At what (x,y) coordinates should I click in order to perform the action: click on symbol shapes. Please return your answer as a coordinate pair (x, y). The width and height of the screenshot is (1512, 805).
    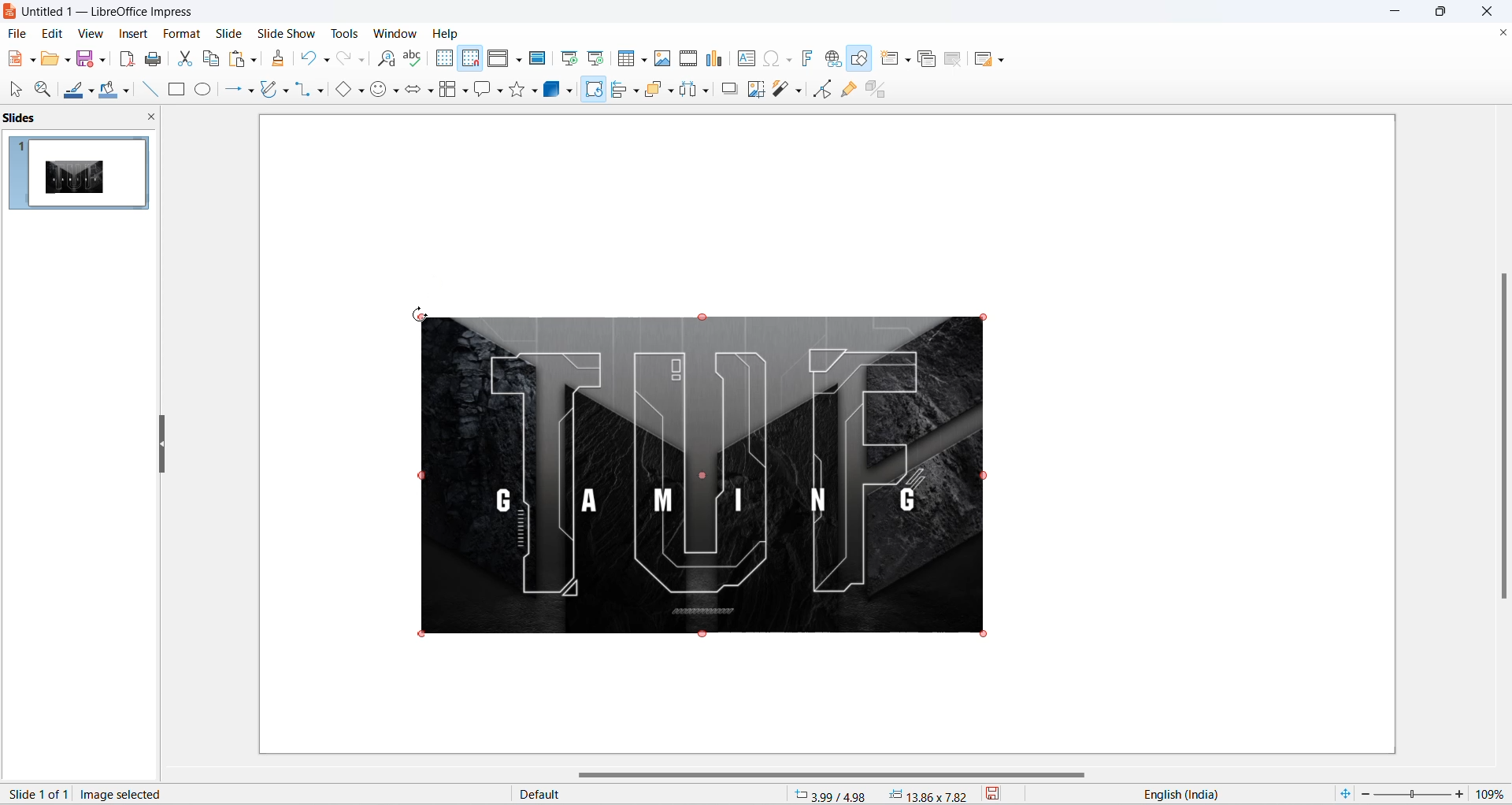
    Looking at the image, I should click on (398, 93).